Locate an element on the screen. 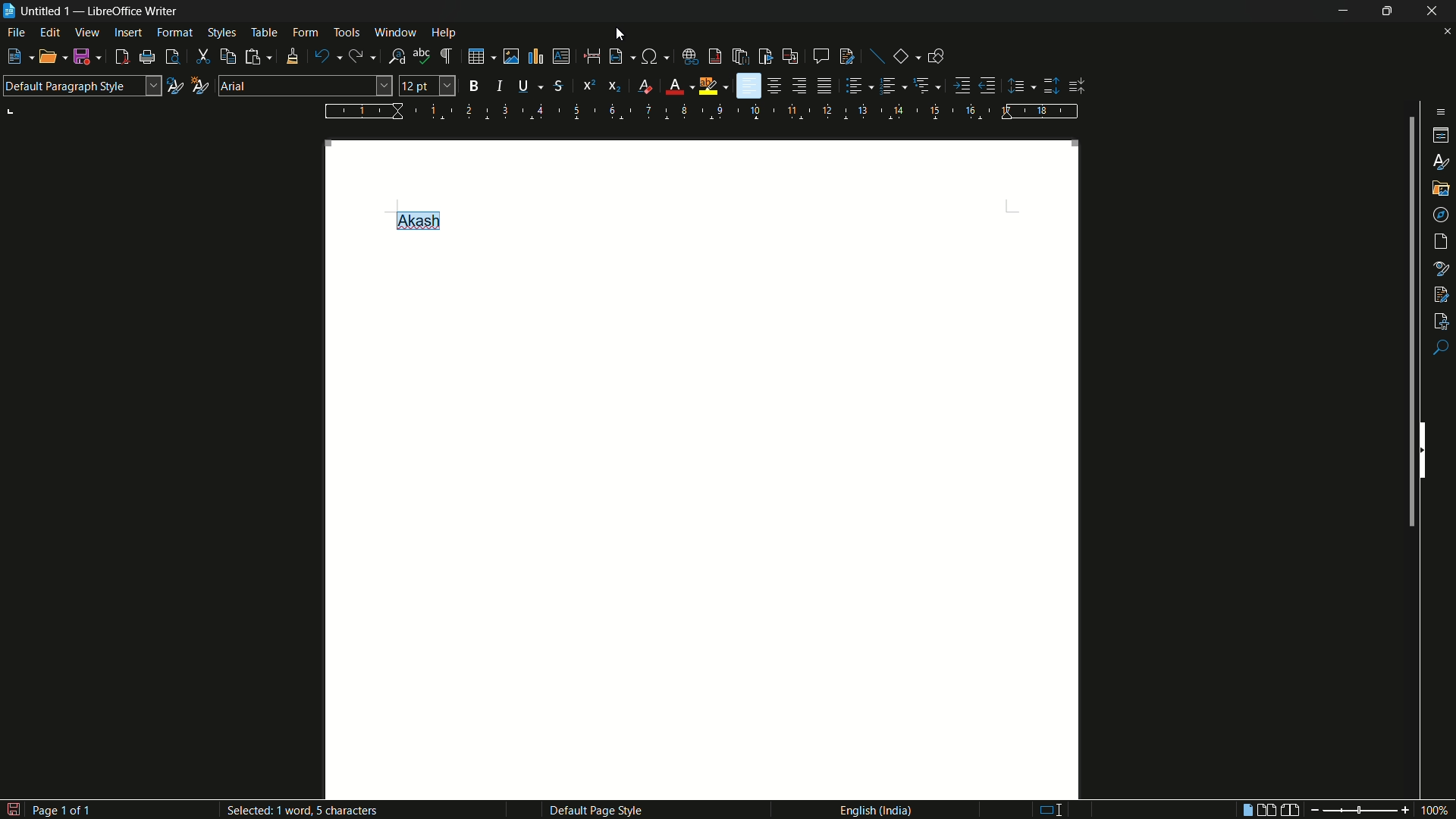 The image size is (1456, 819). gallery is located at coordinates (1441, 187).